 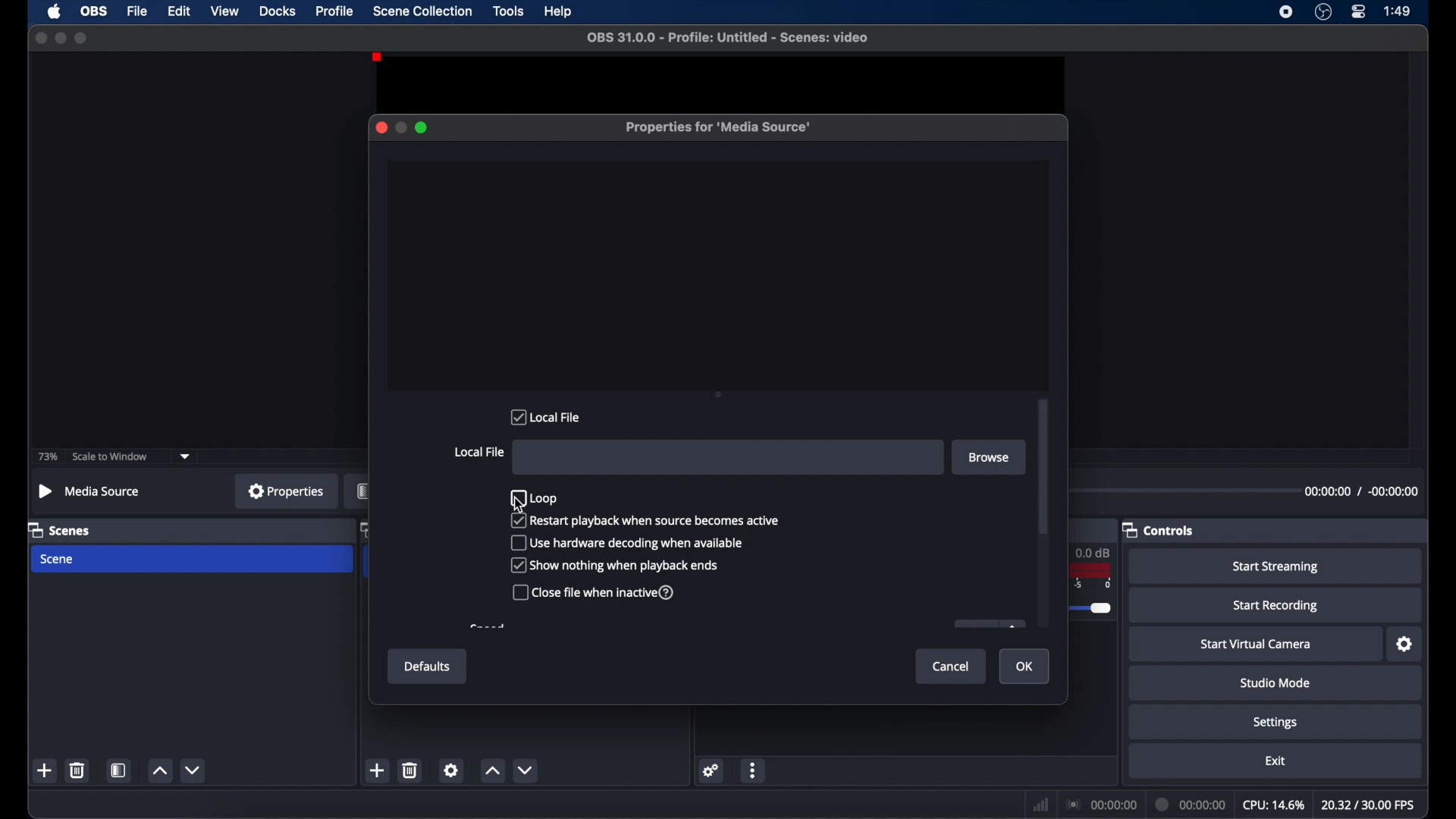 What do you see at coordinates (1360, 12) in the screenshot?
I see `control center` at bounding box center [1360, 12].